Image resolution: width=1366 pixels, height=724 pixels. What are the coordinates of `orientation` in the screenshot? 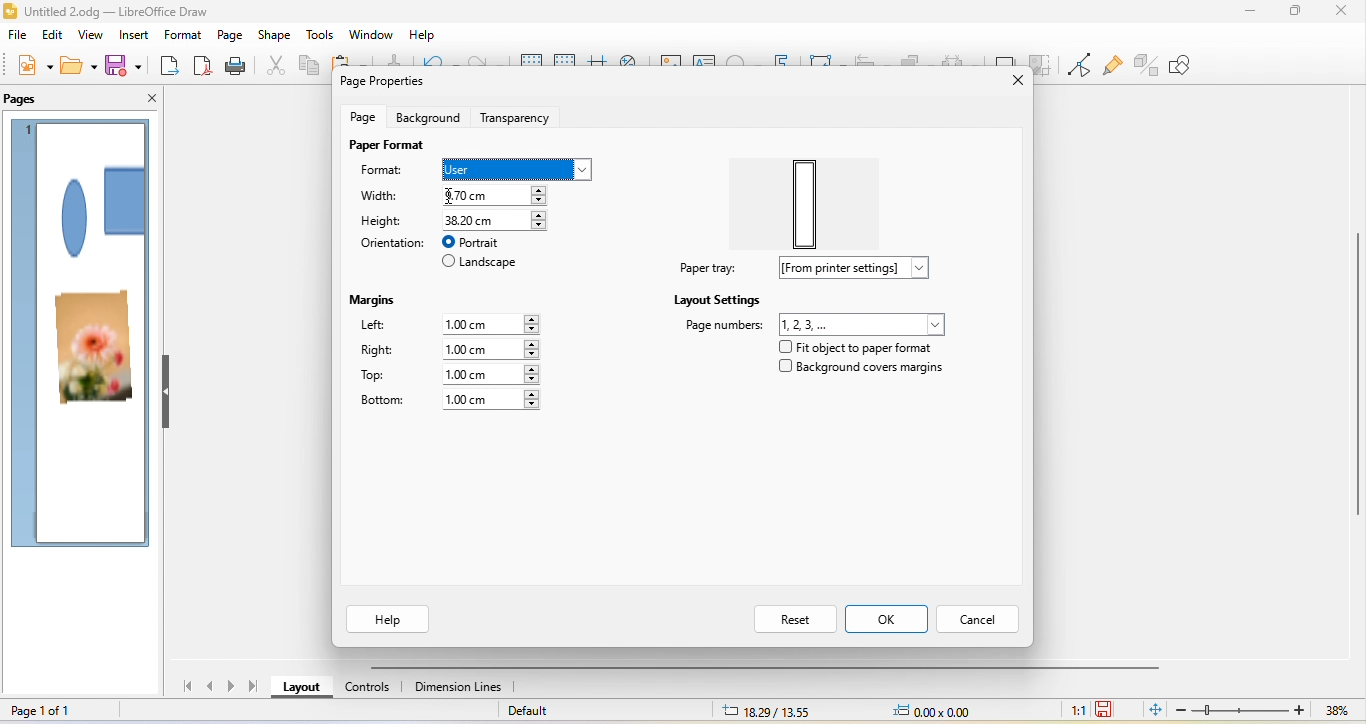 It's located at (392, 245).